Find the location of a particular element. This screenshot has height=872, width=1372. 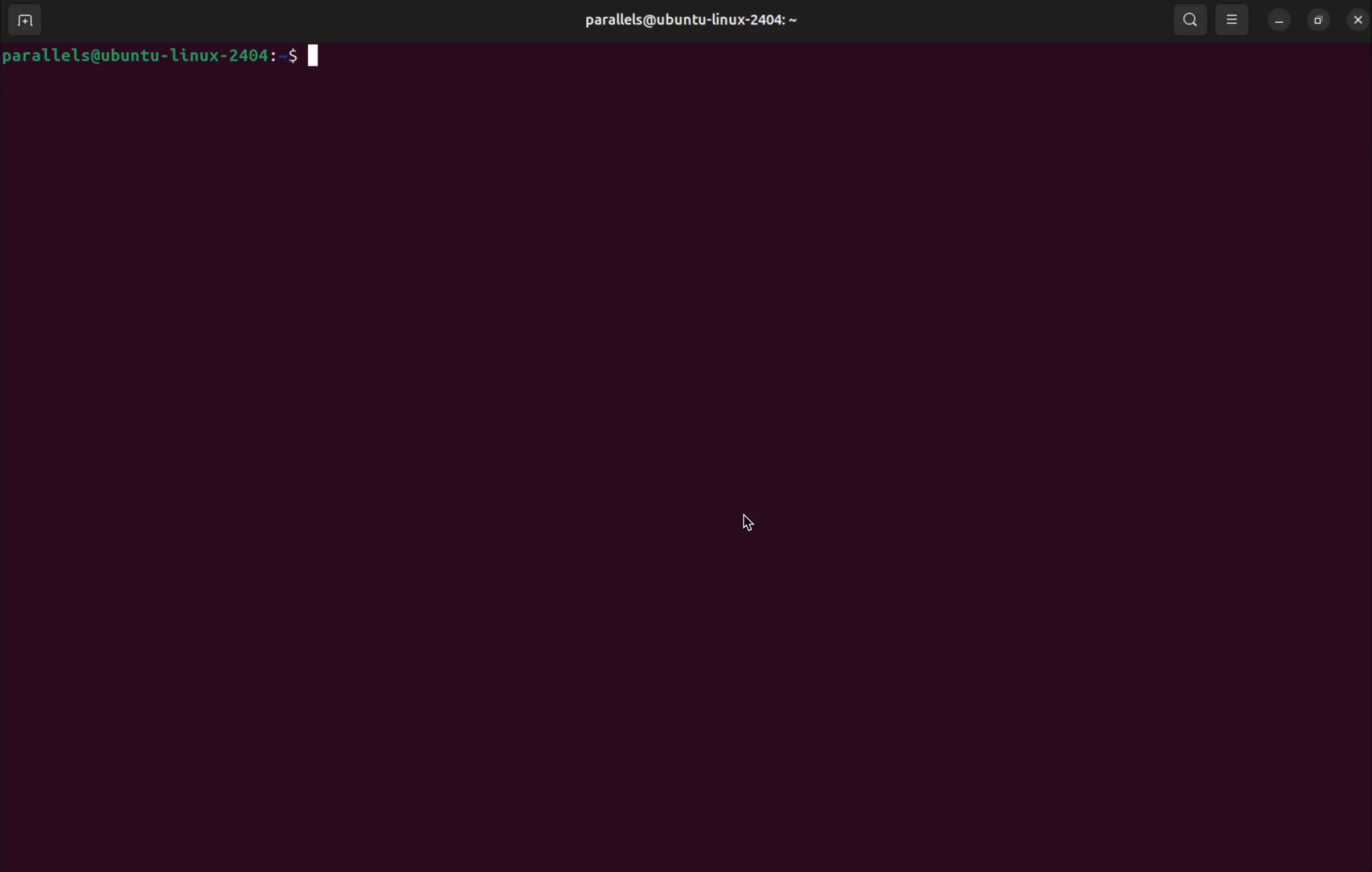

add terminal is located at coordinates (30, 22).